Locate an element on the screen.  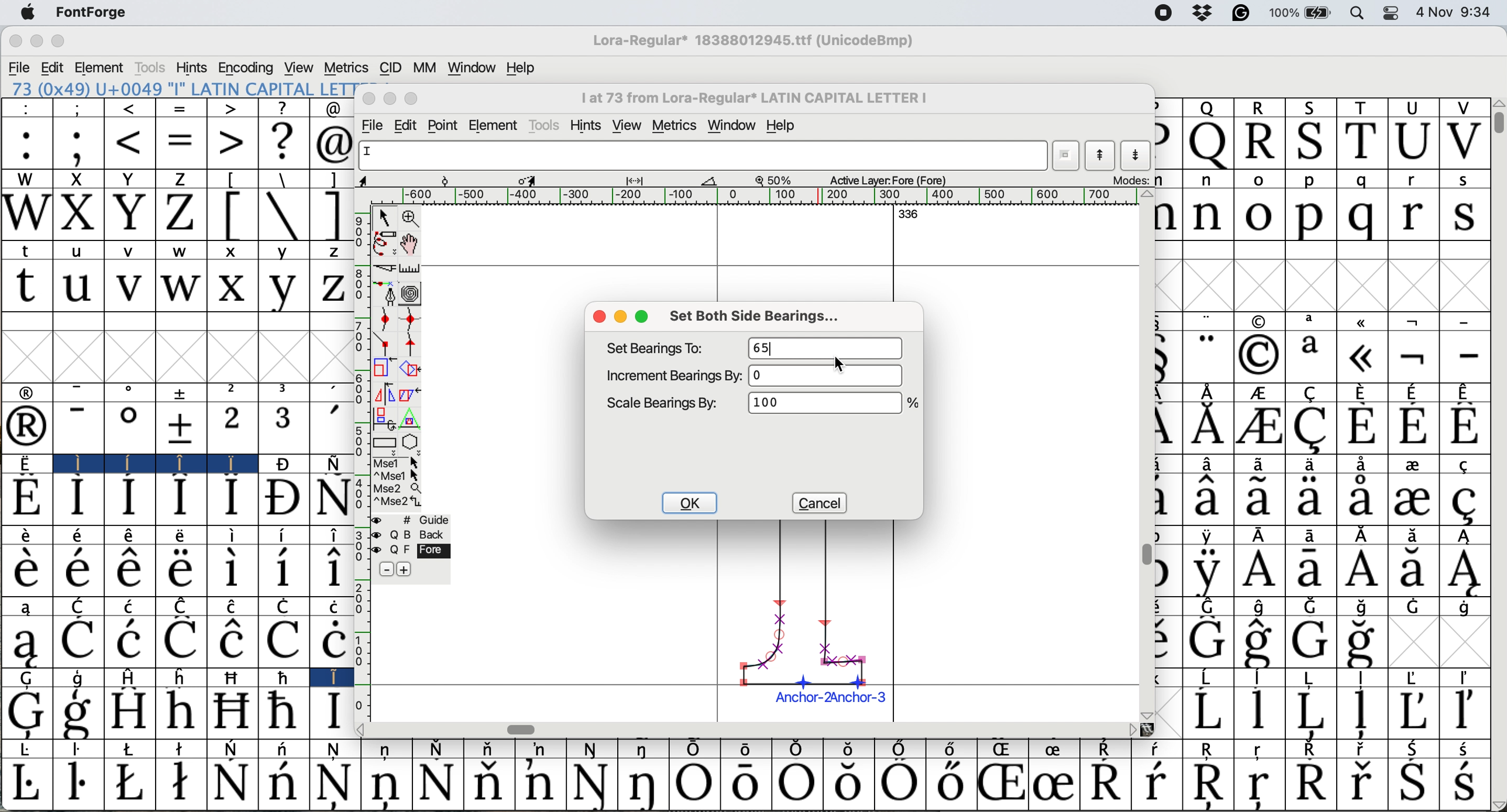
Symbol is located at coordinates (1465, 784).